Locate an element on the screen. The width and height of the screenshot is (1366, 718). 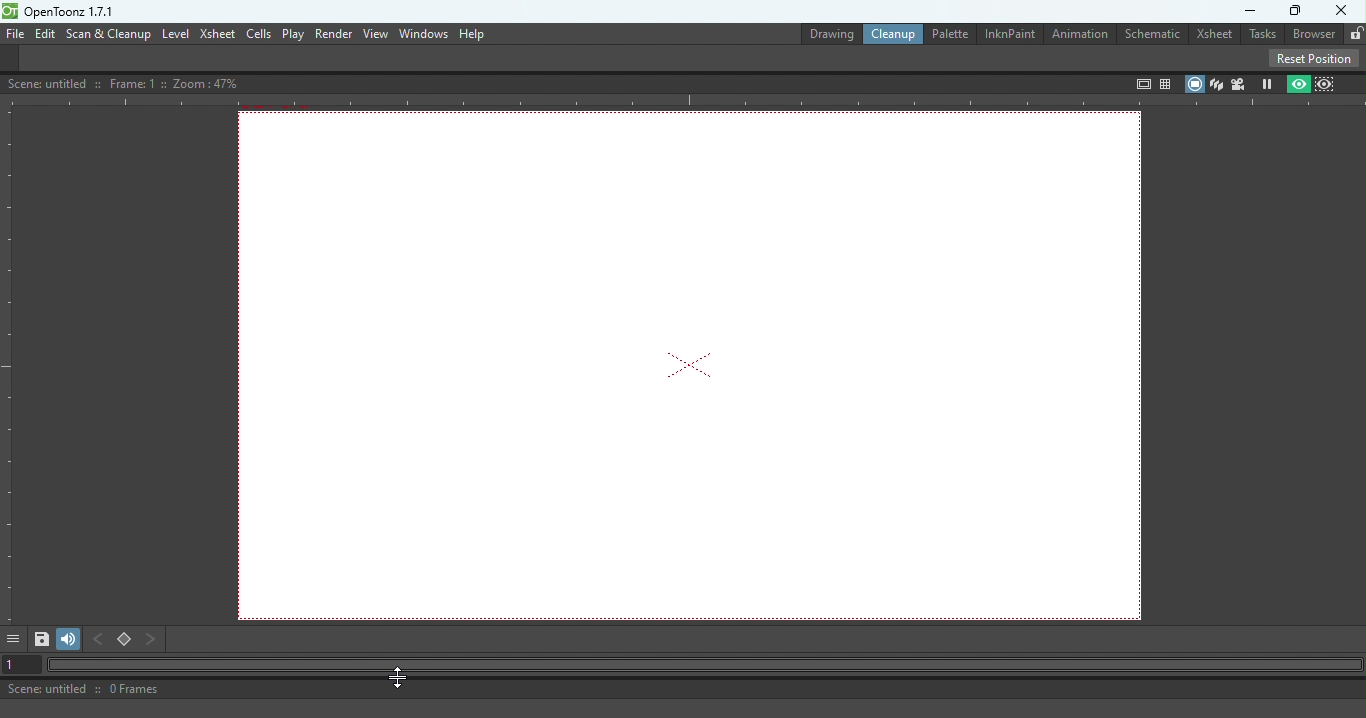
InknPaint is located at coordinates (1013, 33).